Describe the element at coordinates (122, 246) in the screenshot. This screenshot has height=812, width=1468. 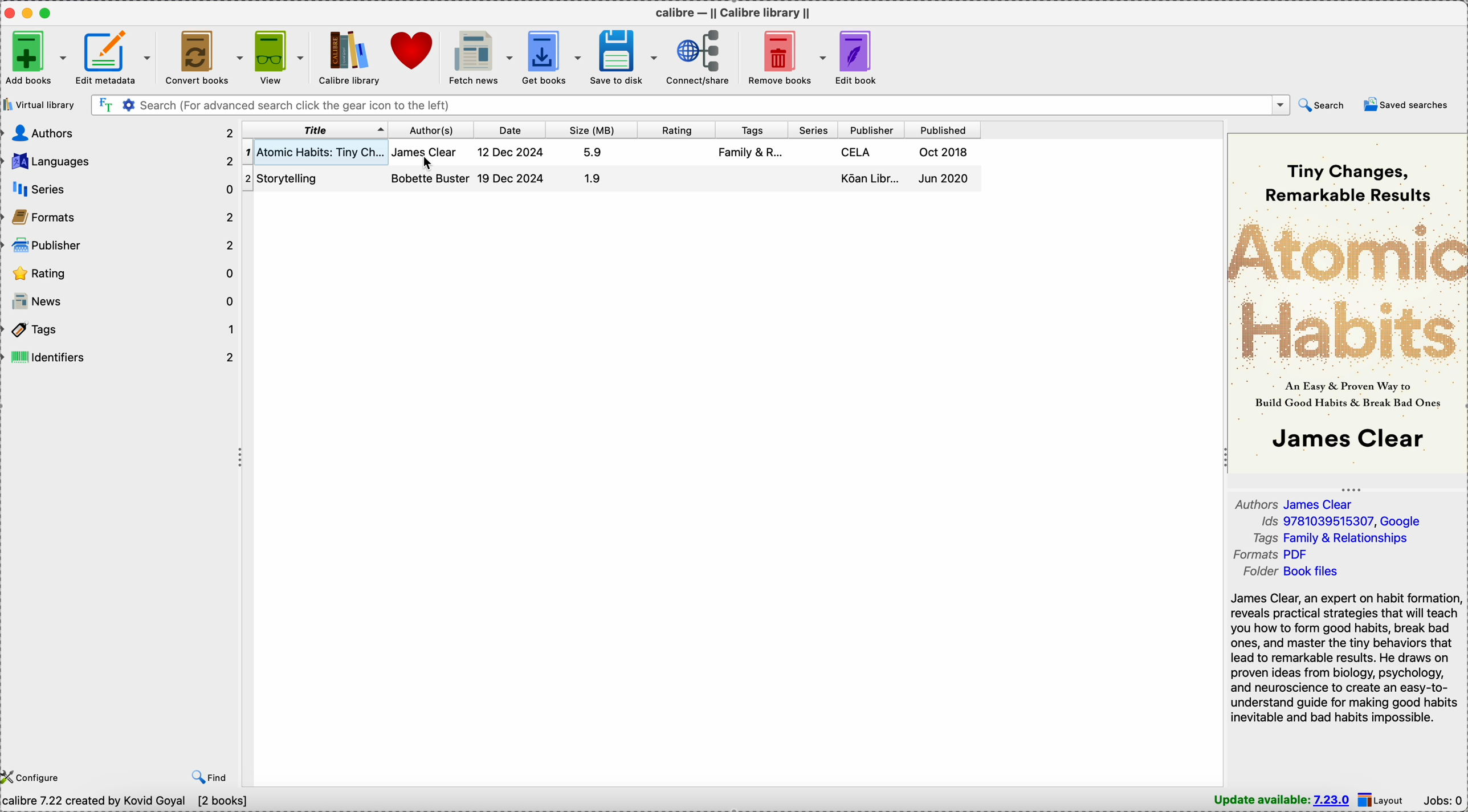
I see `publisher` at that location.